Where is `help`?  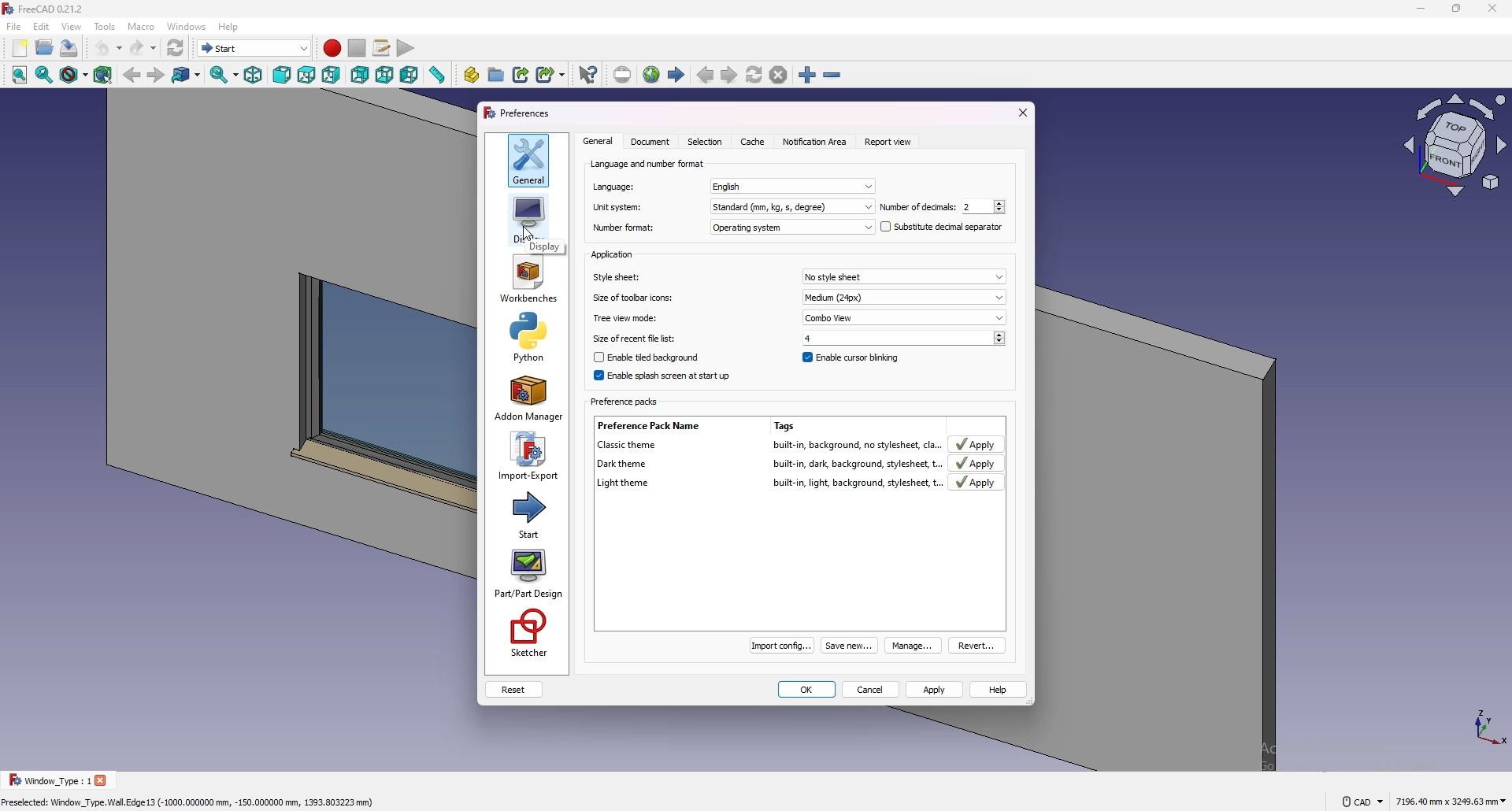
help is located at coordinates (228, 27).